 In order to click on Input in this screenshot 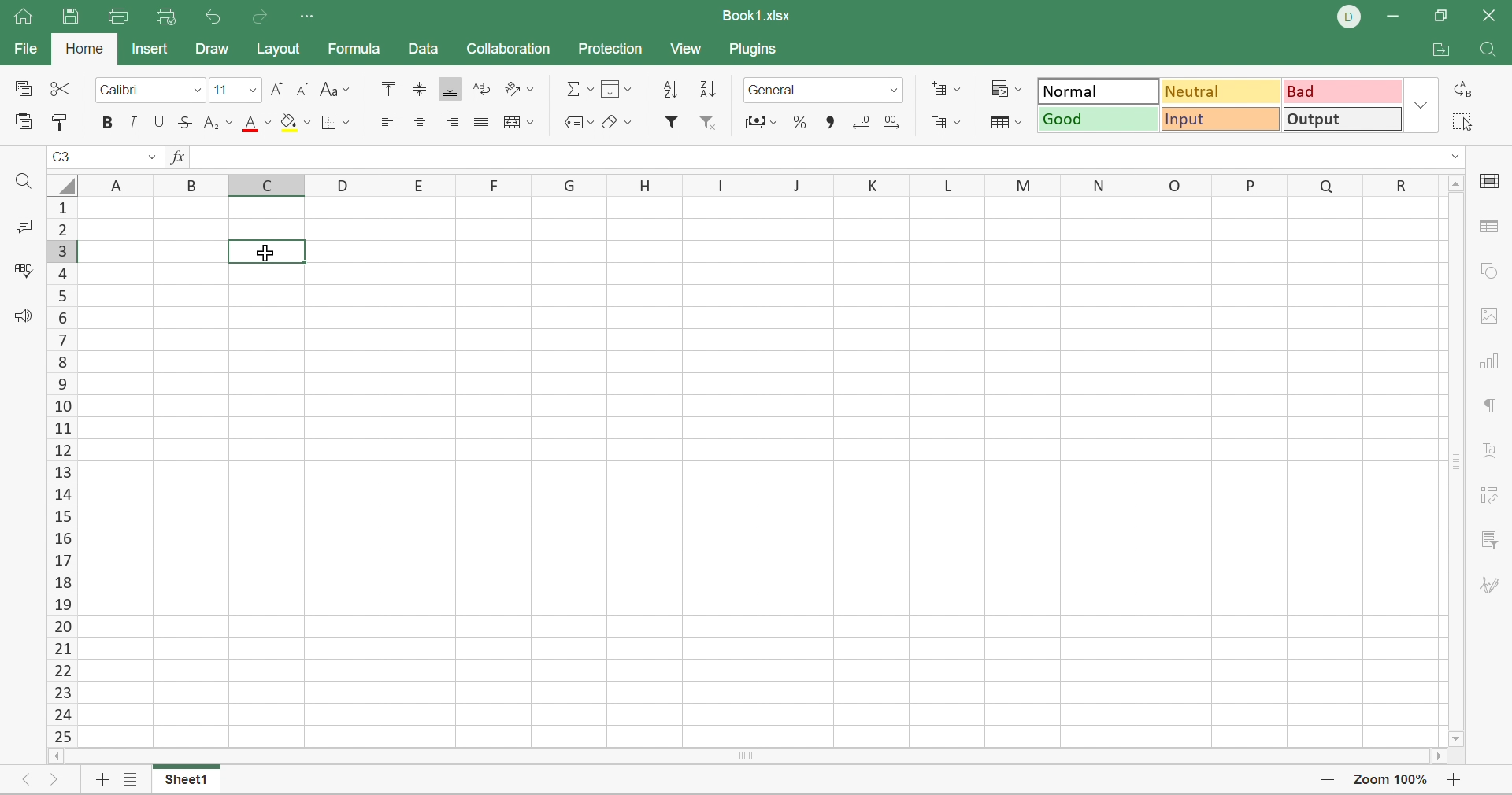, I will do `click(1221, 120)`.